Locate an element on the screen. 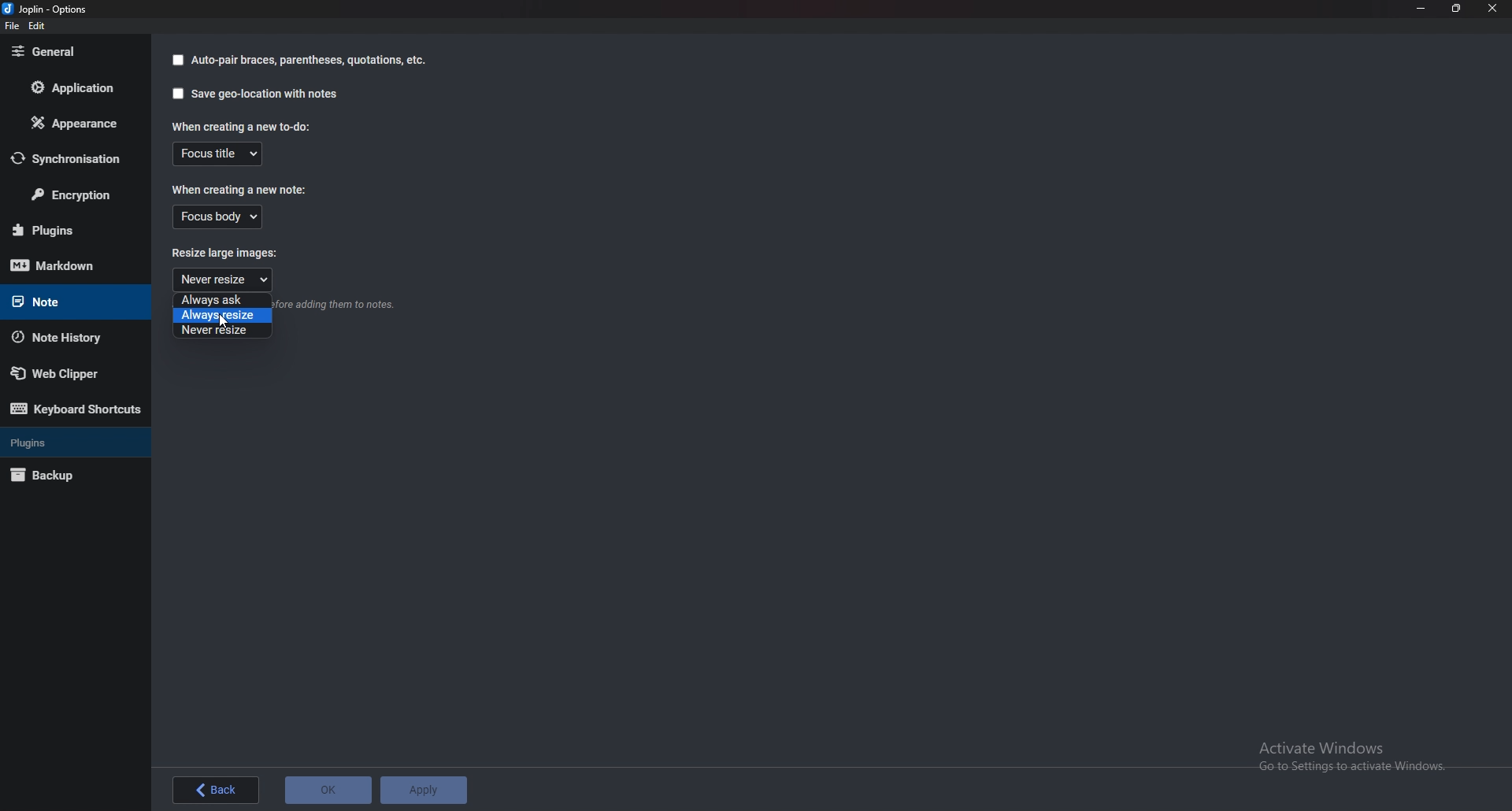 This screenshot has width=1512, height=811. resize is located at coordinates (1457, 8).